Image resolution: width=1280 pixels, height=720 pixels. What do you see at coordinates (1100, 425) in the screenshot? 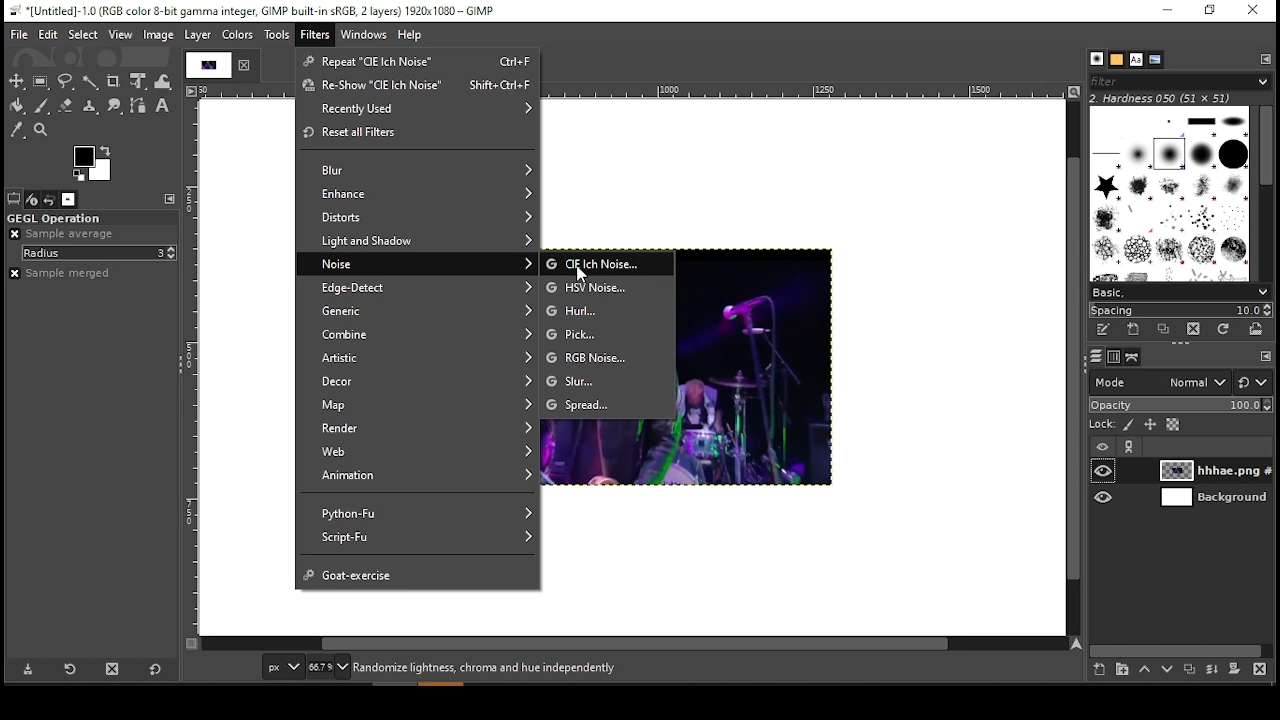
I see `lock` at bounding box center [1100, 425].